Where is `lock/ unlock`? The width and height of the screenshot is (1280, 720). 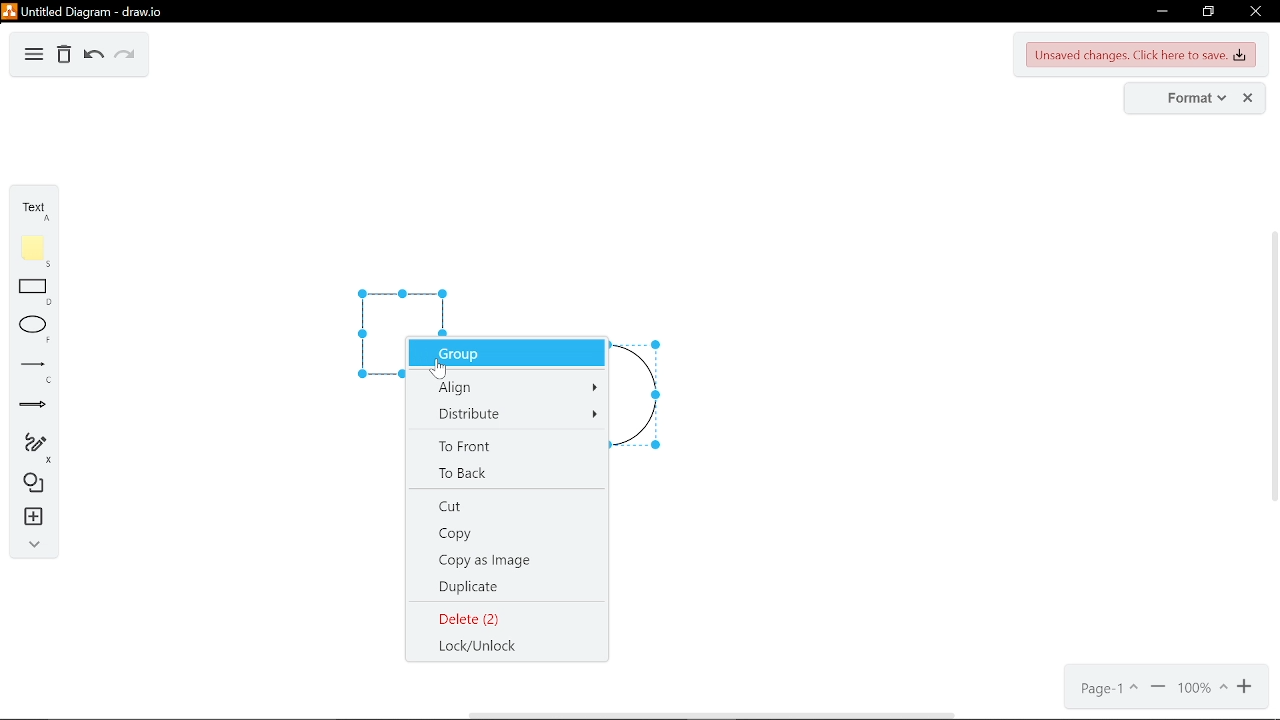
lock/ unlock is located at coordinates (506, 644).